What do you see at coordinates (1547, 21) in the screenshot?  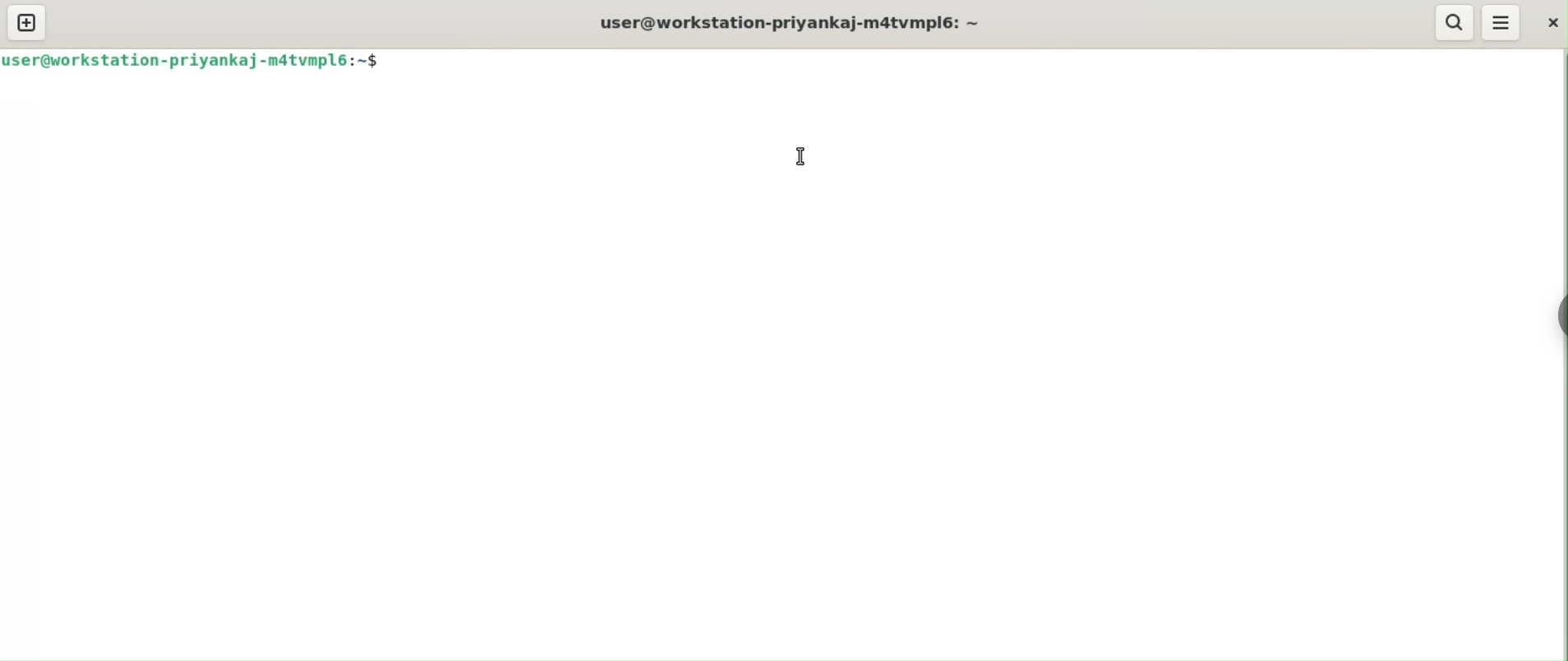 I see `close` at bounding box center [1547, 21].